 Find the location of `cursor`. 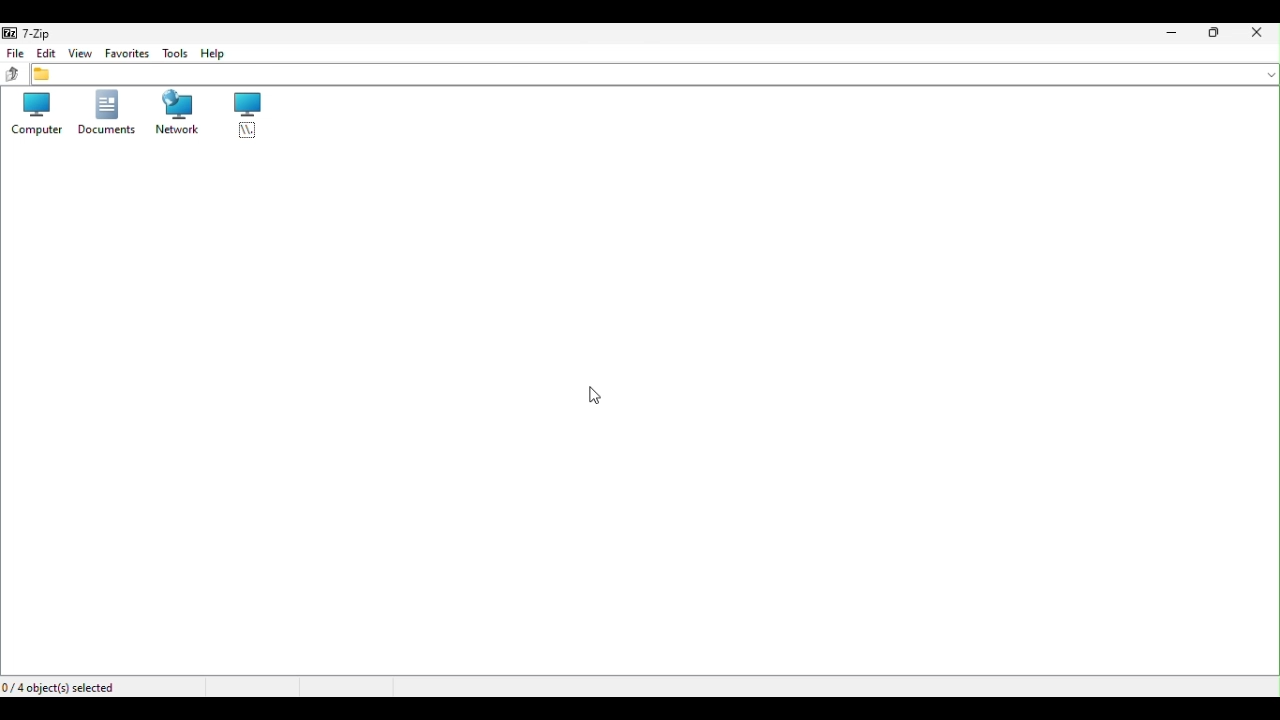

cursor is located at coordinates (596, 397).